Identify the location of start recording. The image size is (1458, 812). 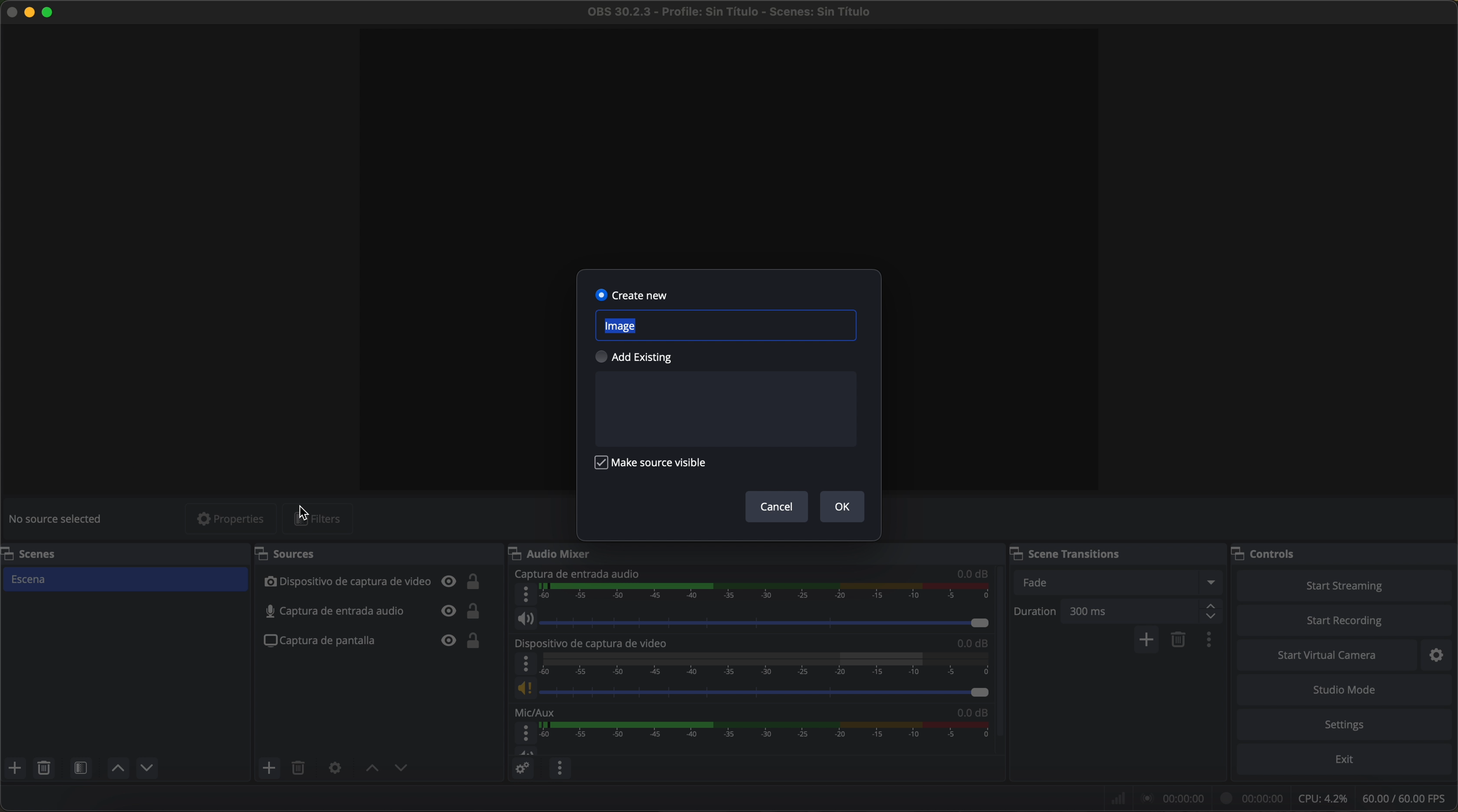
(1346, 621).